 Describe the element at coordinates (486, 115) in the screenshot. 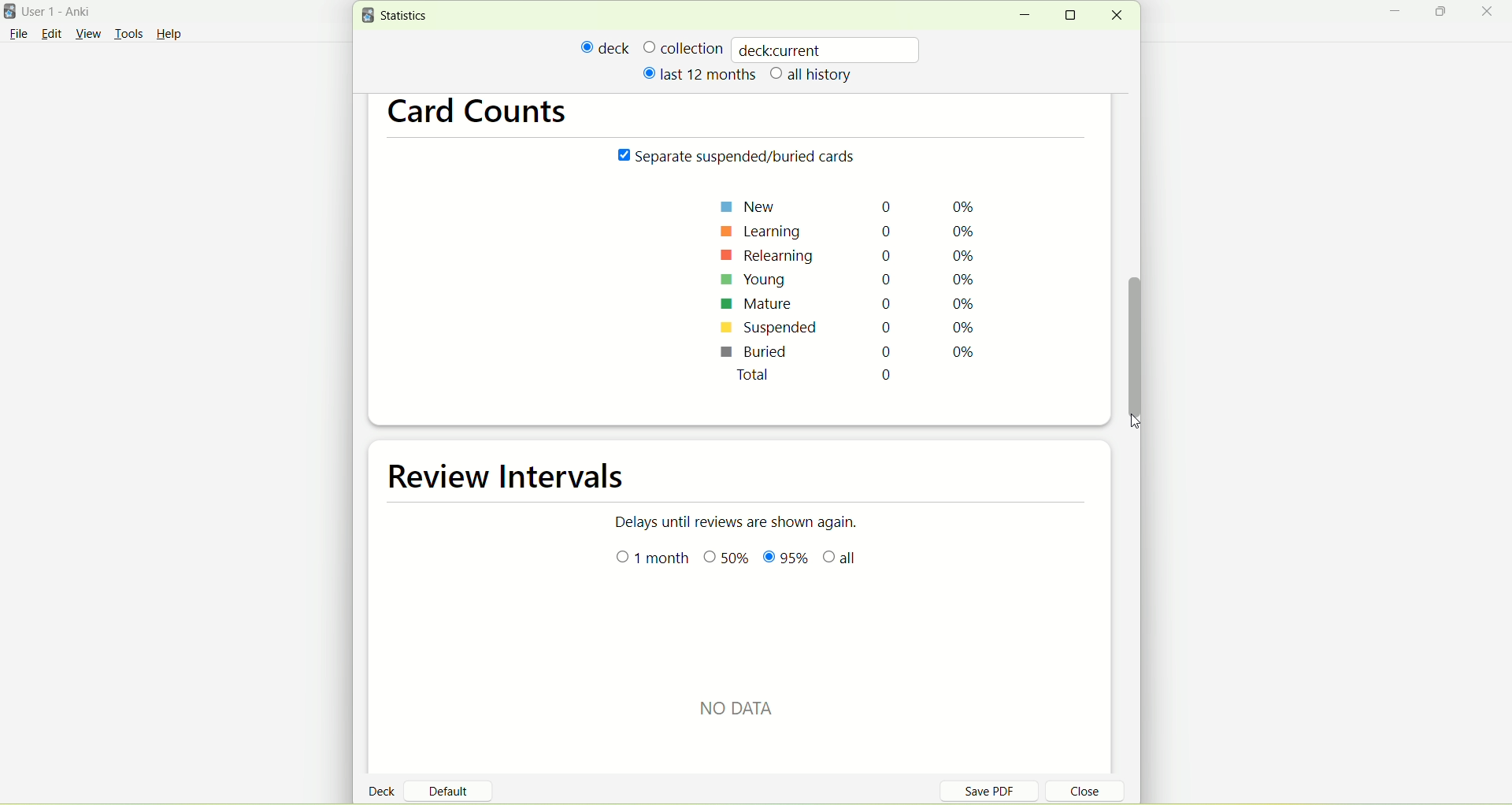

I see `card counts` at that location.